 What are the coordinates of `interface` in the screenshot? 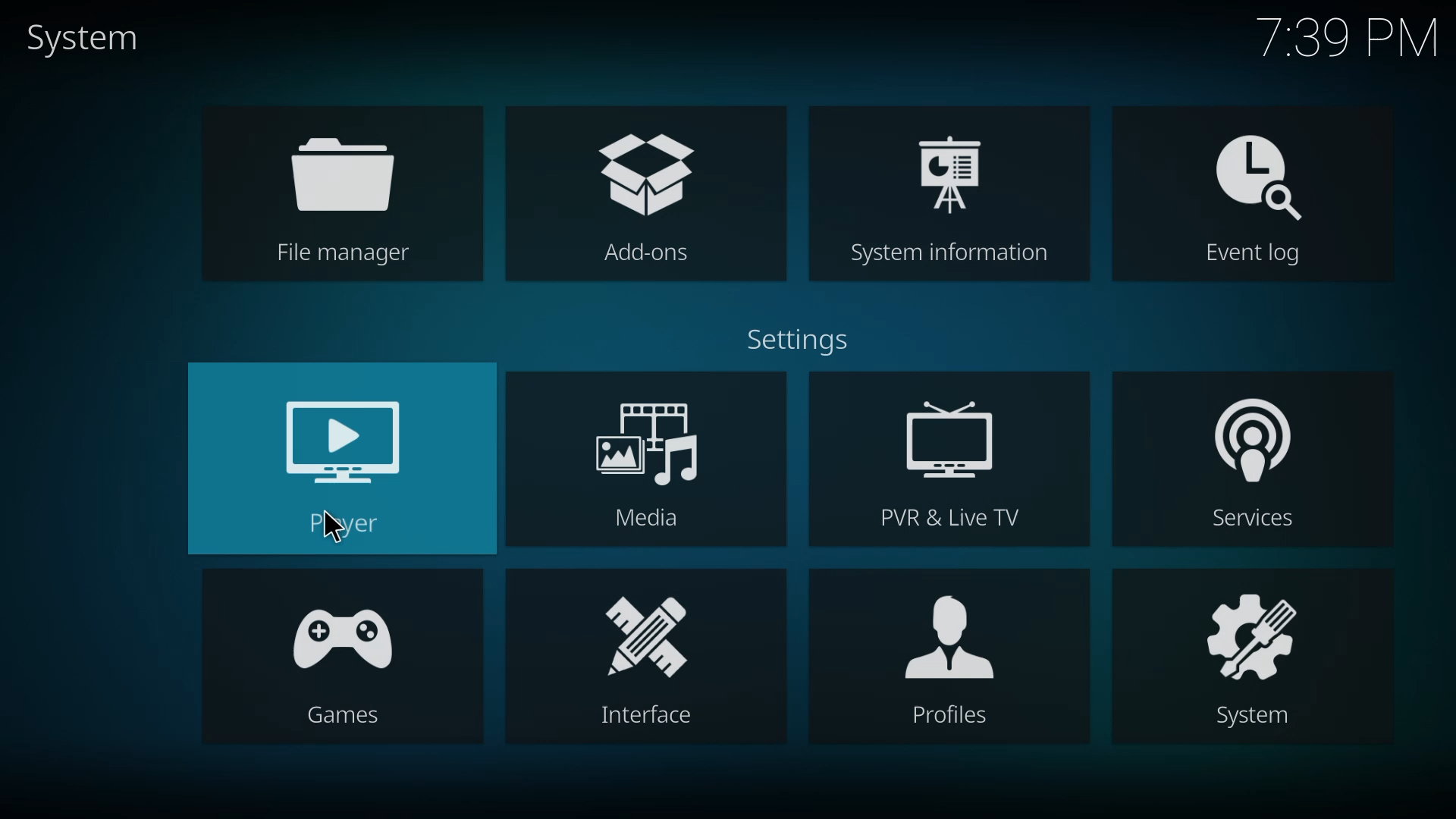 It's located at (644, 661).